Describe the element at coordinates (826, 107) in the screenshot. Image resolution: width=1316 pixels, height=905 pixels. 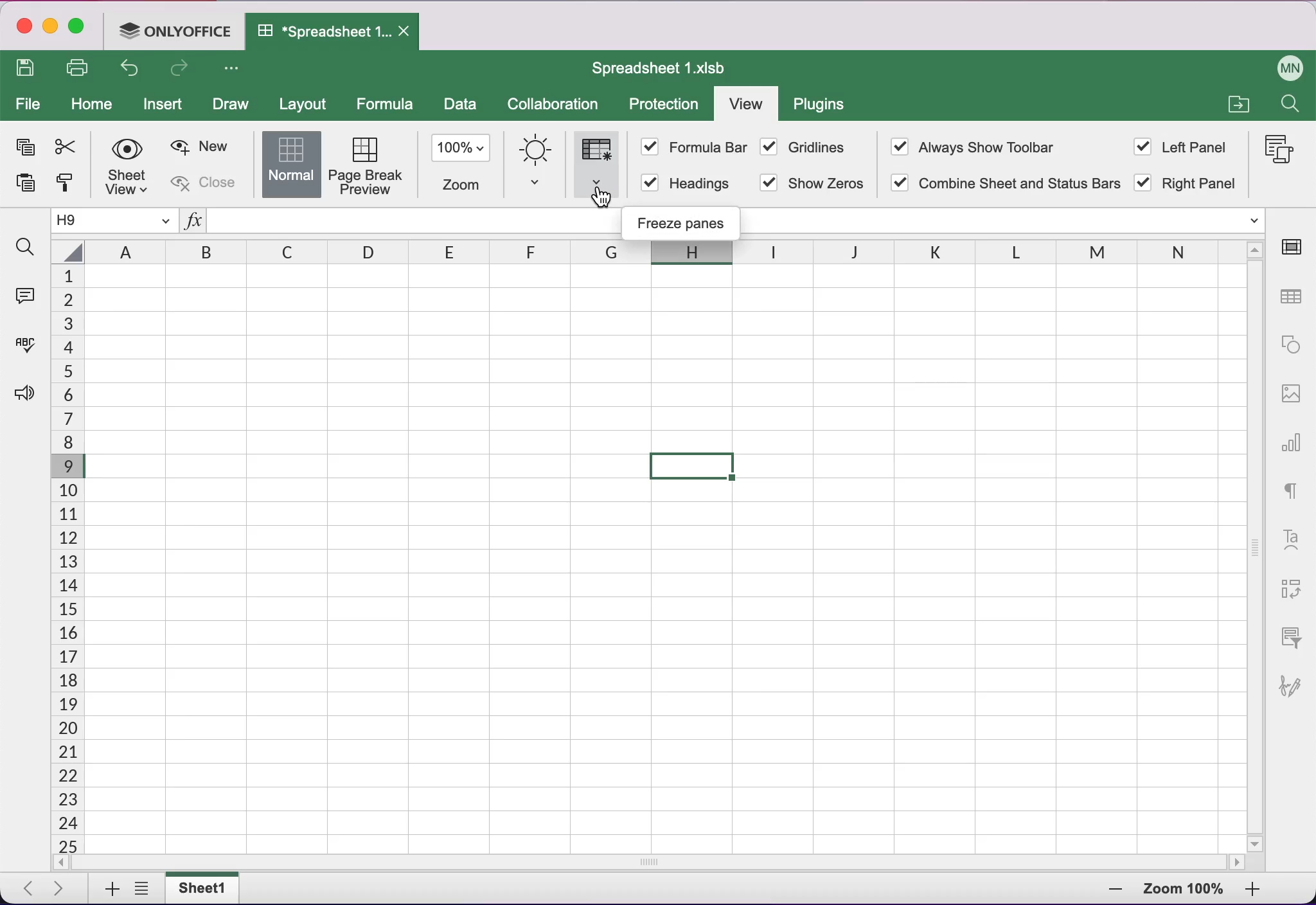
I see `plugins` at that location.